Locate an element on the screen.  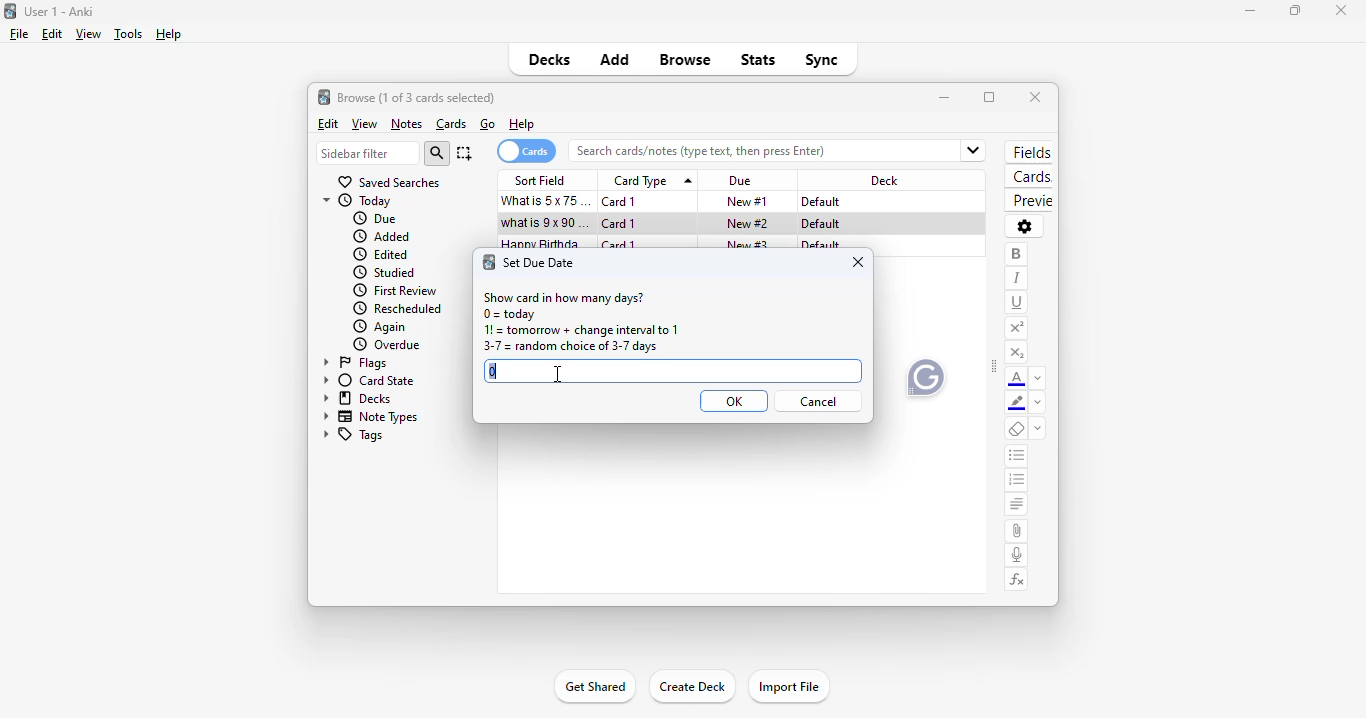
edit is located at coordinates (329, 124).